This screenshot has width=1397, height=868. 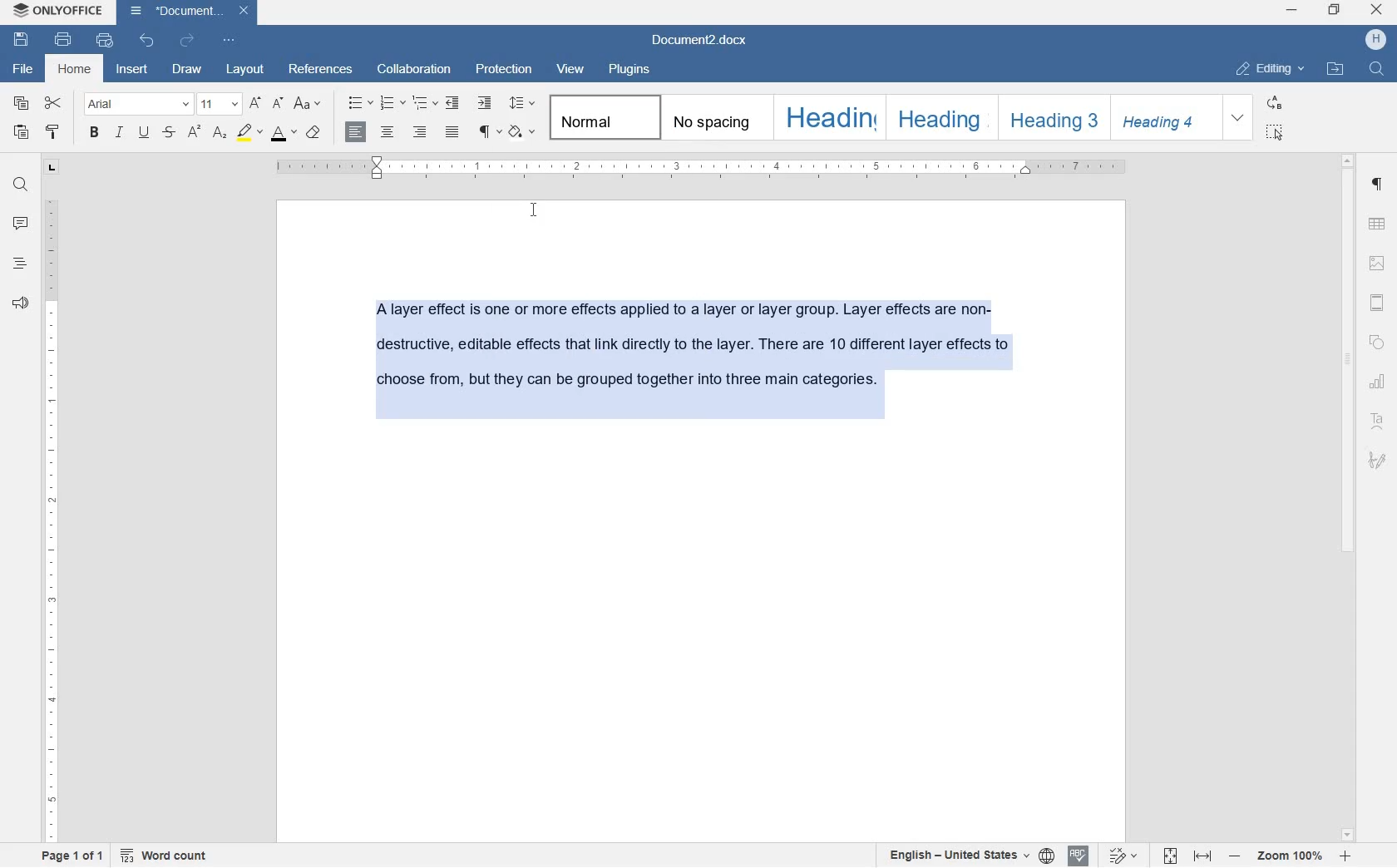 What do you see at coordinates (827, 116) in the screenshot?
I see `heading 1` at bounding box center [827, 116].